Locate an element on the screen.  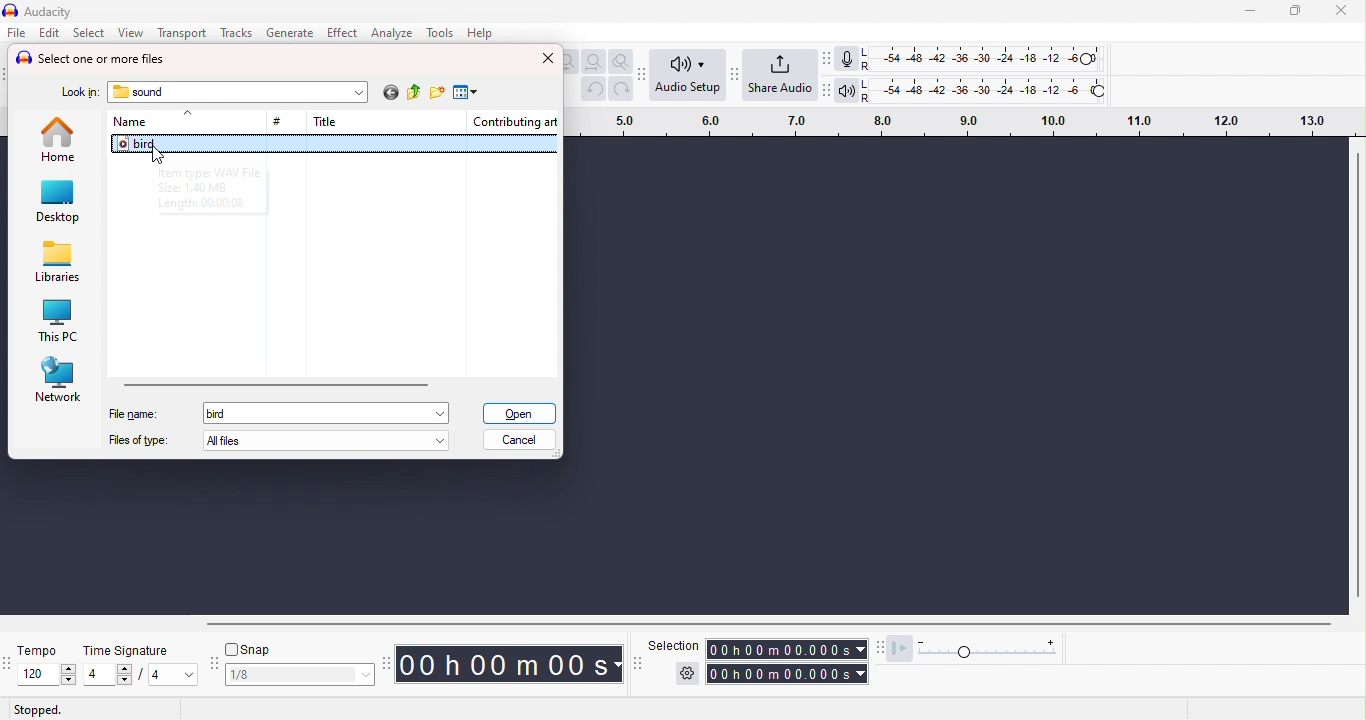
view is located at coordinates (130, 33).